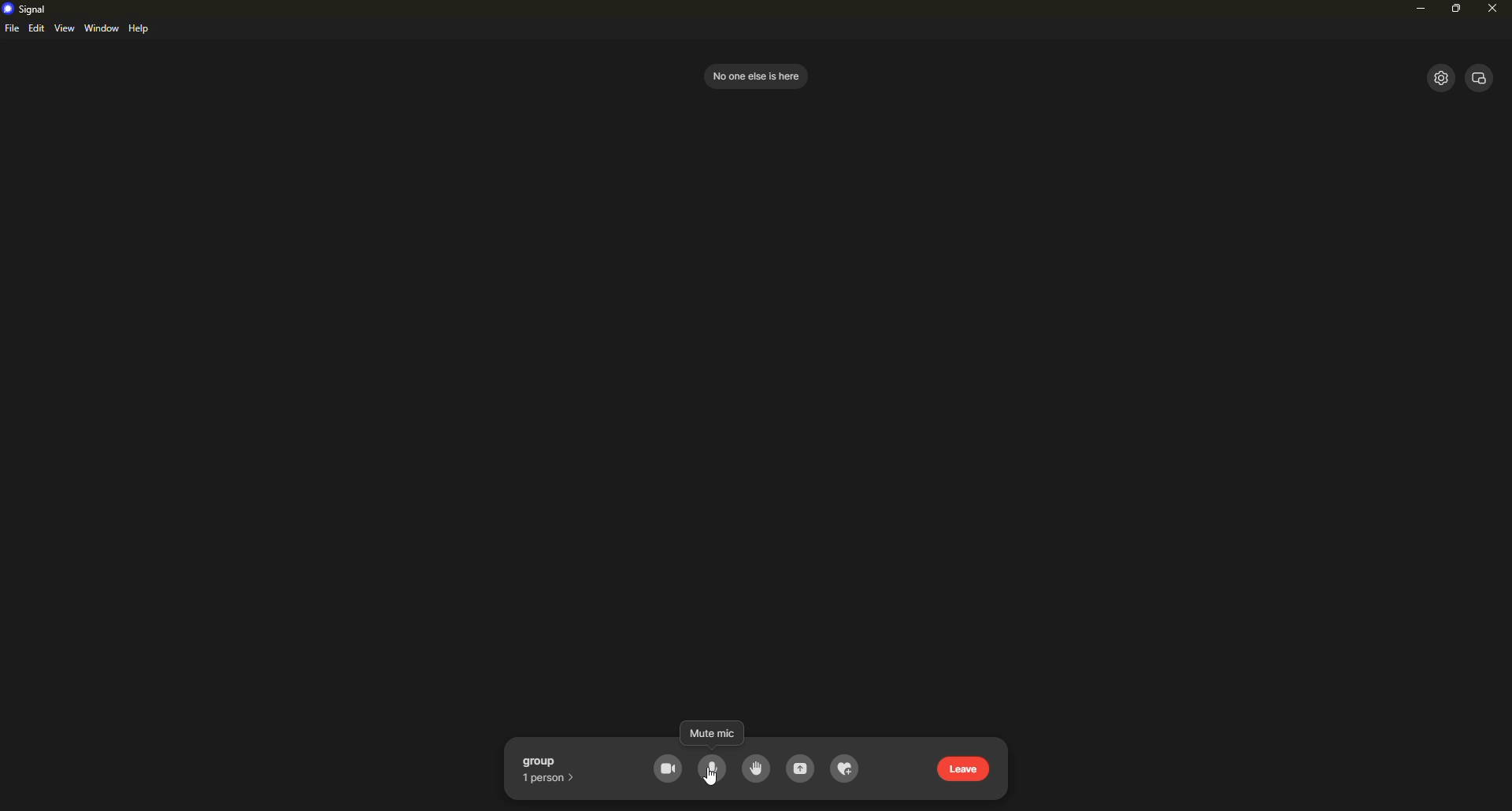 This screenshot has width=1512, height=811. I want to click on close, so click(1492, 9).